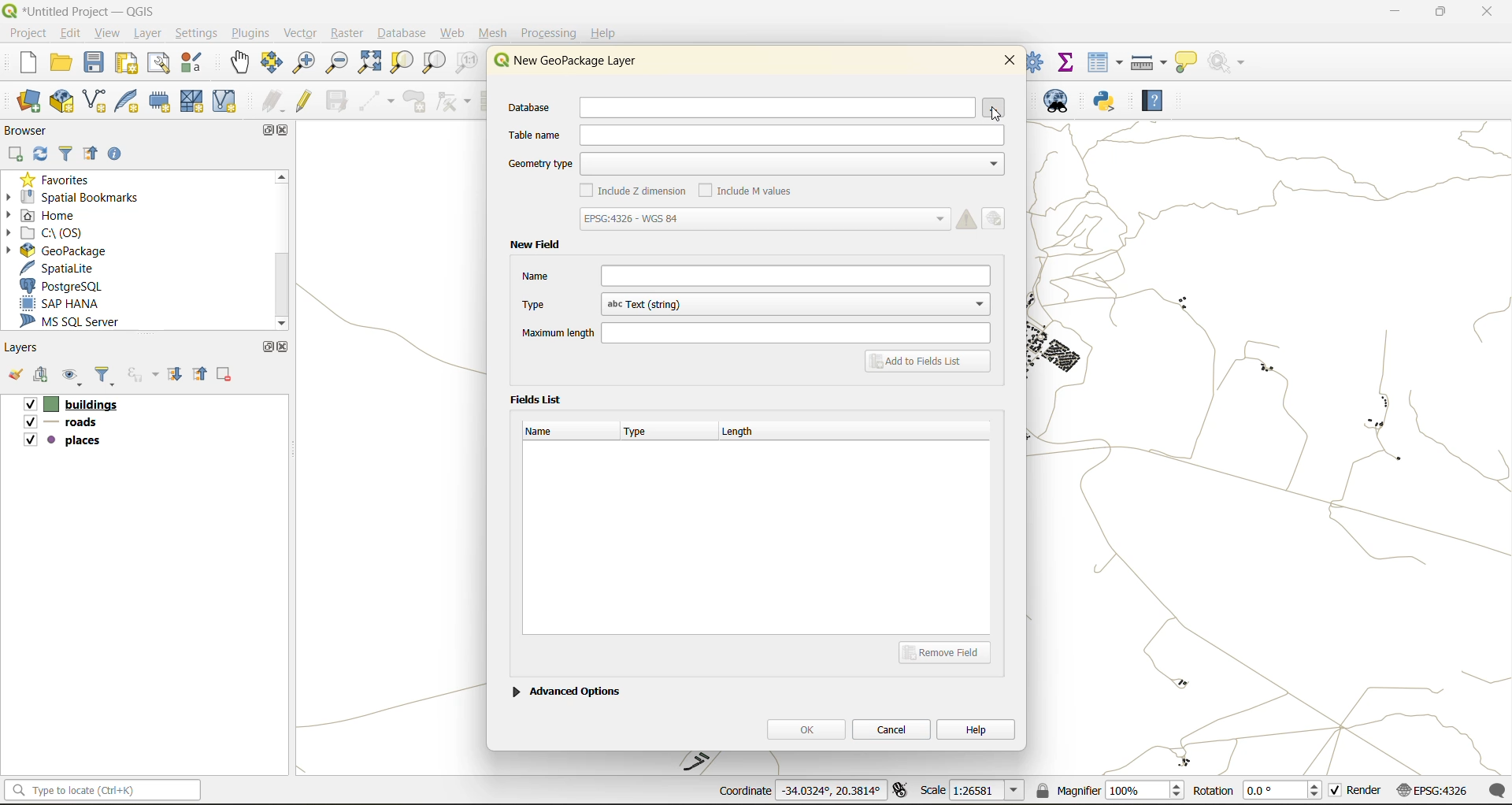  Describe the element at coordinates (273, 102) in the screenshot. I see `edits` at that location.